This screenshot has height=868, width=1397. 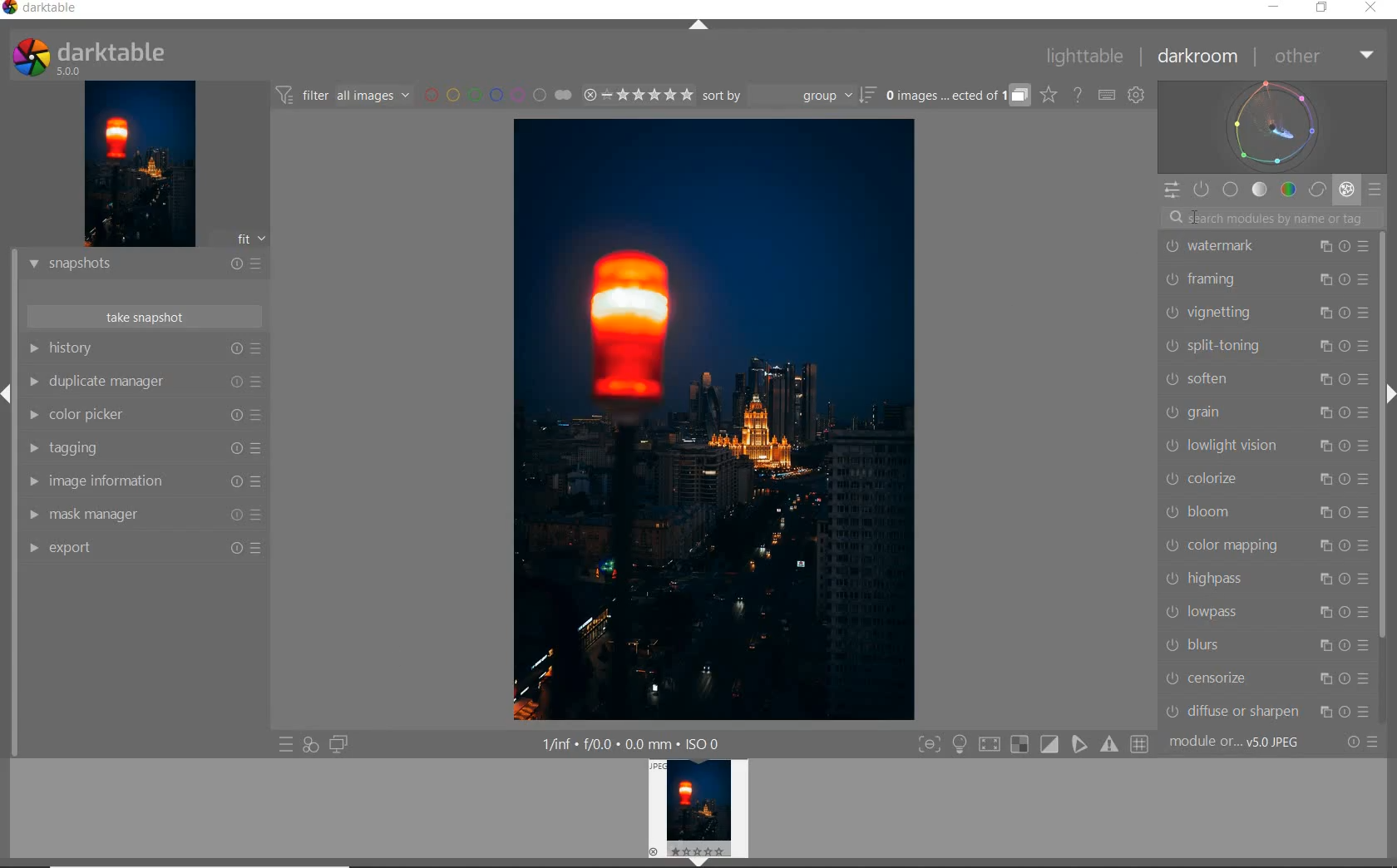 What do you see at coordinates (1317, 645) in the screenshot?
I see `Multiple instance` at bounding box center [1317, 645].